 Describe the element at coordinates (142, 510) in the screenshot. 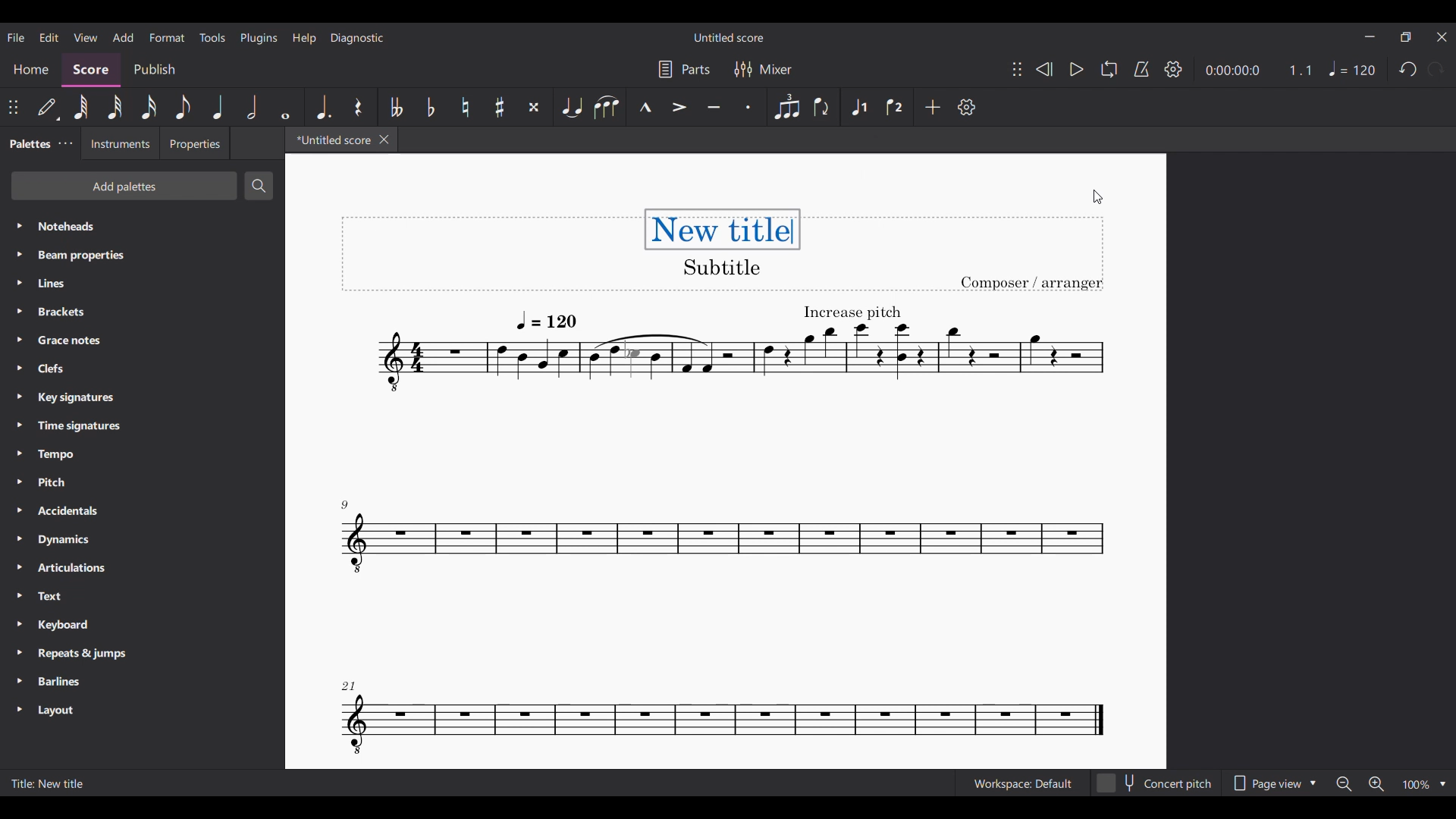

I see `Accidentals` at that location.